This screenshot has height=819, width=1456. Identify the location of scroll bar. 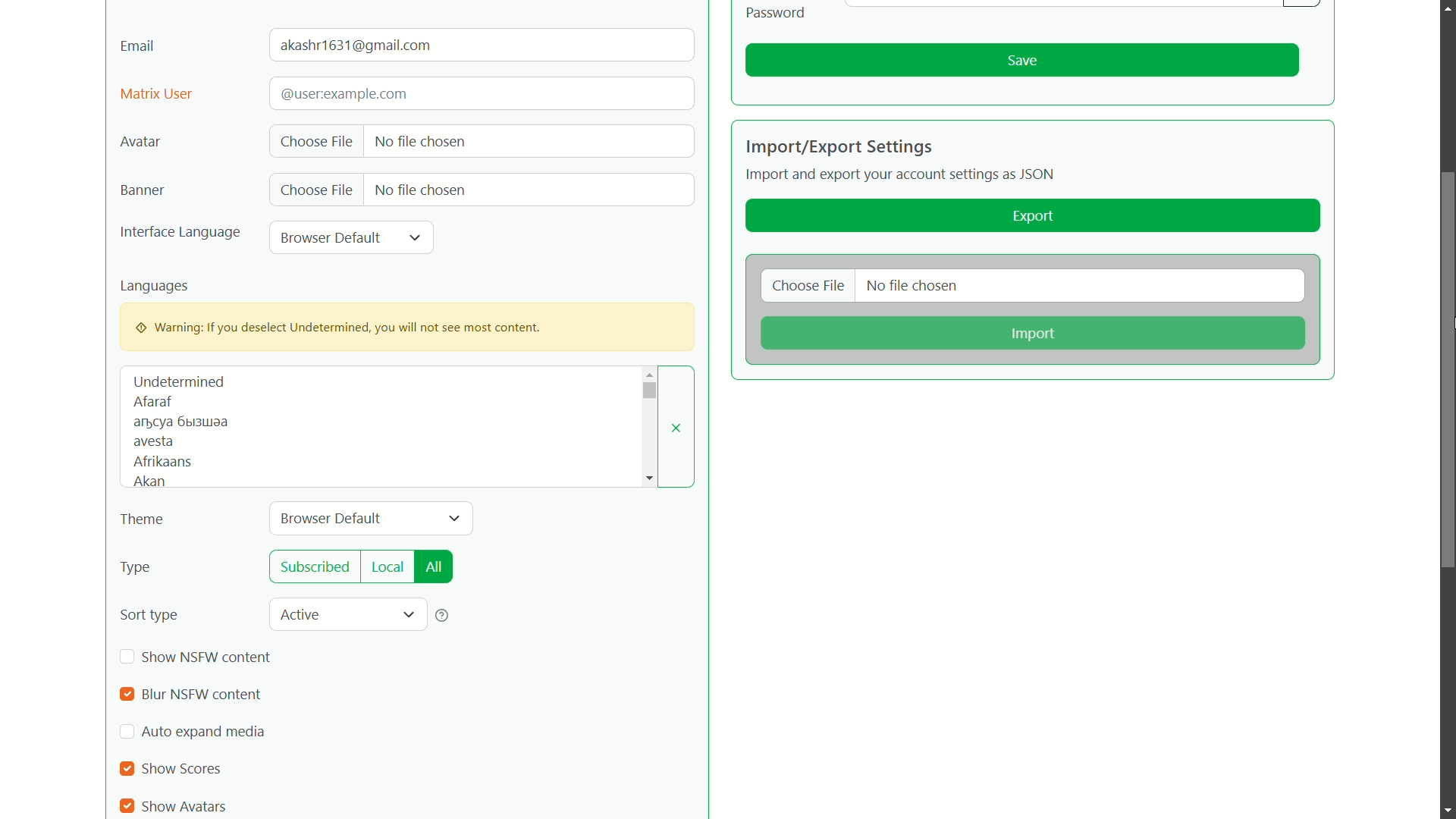
(1447, 370).